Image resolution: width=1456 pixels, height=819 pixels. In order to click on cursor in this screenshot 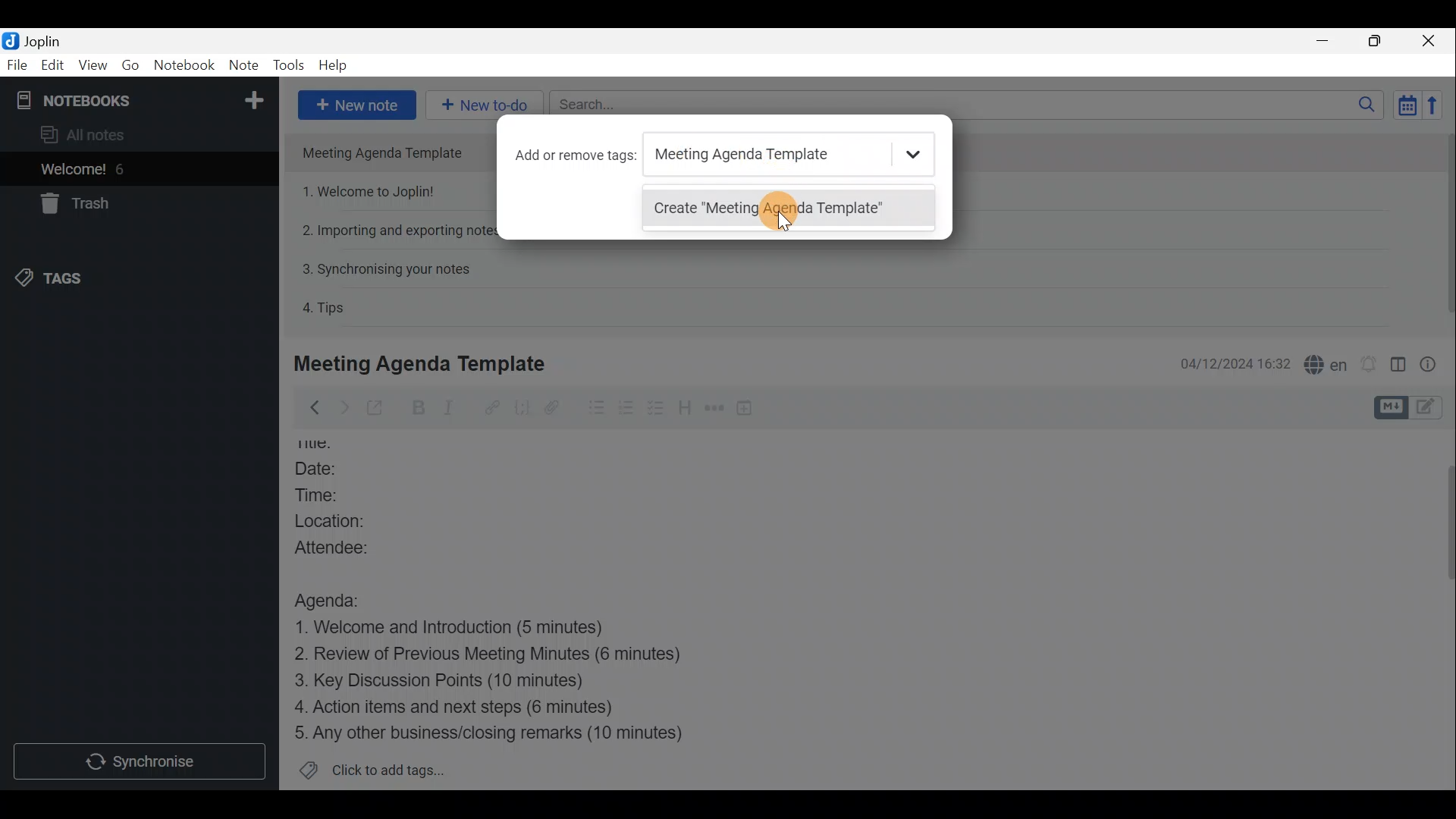, I will do `click(778, 213)`.